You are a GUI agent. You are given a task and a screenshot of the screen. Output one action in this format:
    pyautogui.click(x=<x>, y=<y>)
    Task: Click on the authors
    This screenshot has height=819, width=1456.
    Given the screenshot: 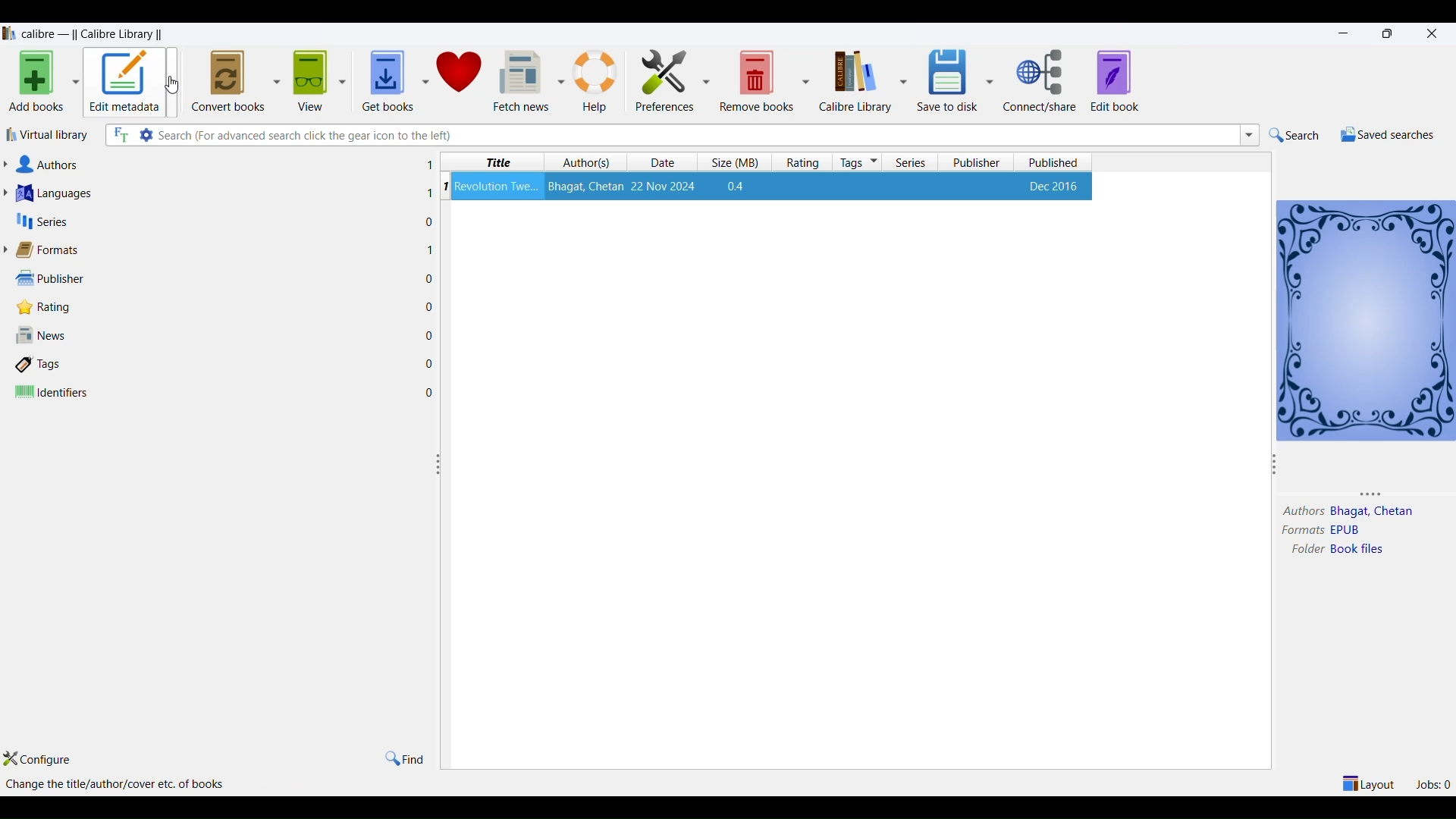 What is the action you would take?
    pyautogui.click(x=588, y=162)
    